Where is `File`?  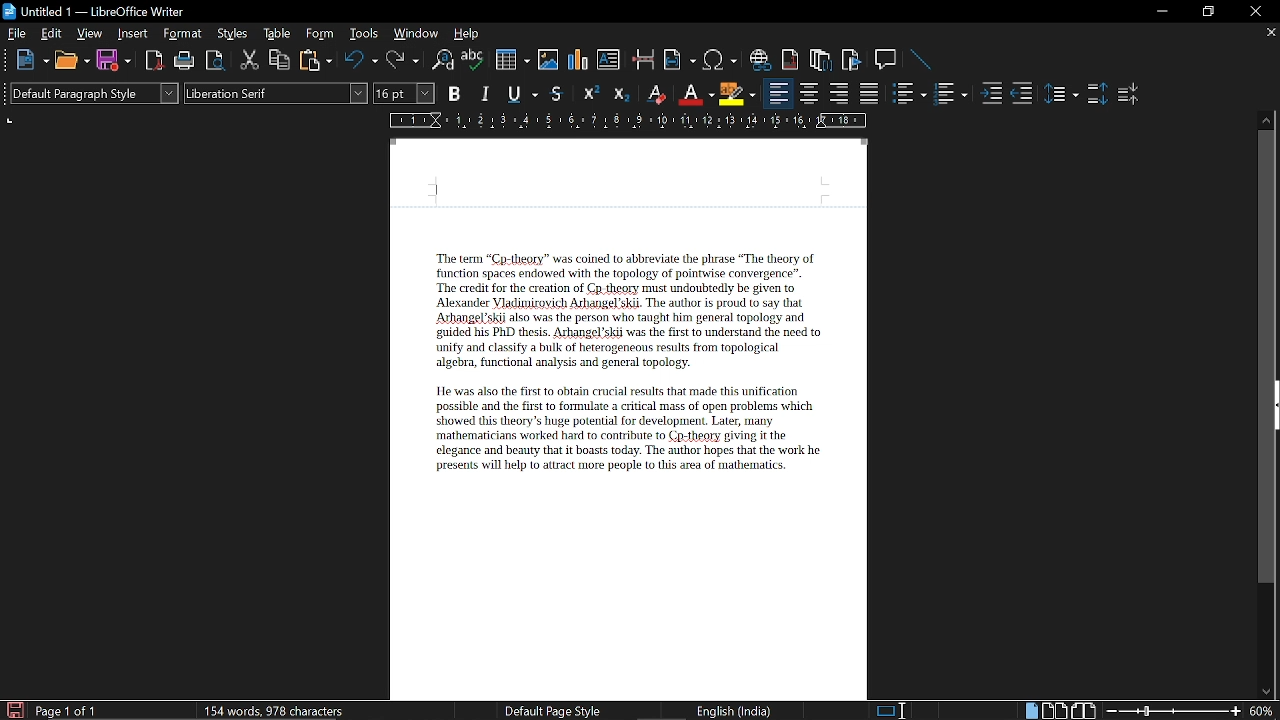 File is located at coordinates (17, 34).